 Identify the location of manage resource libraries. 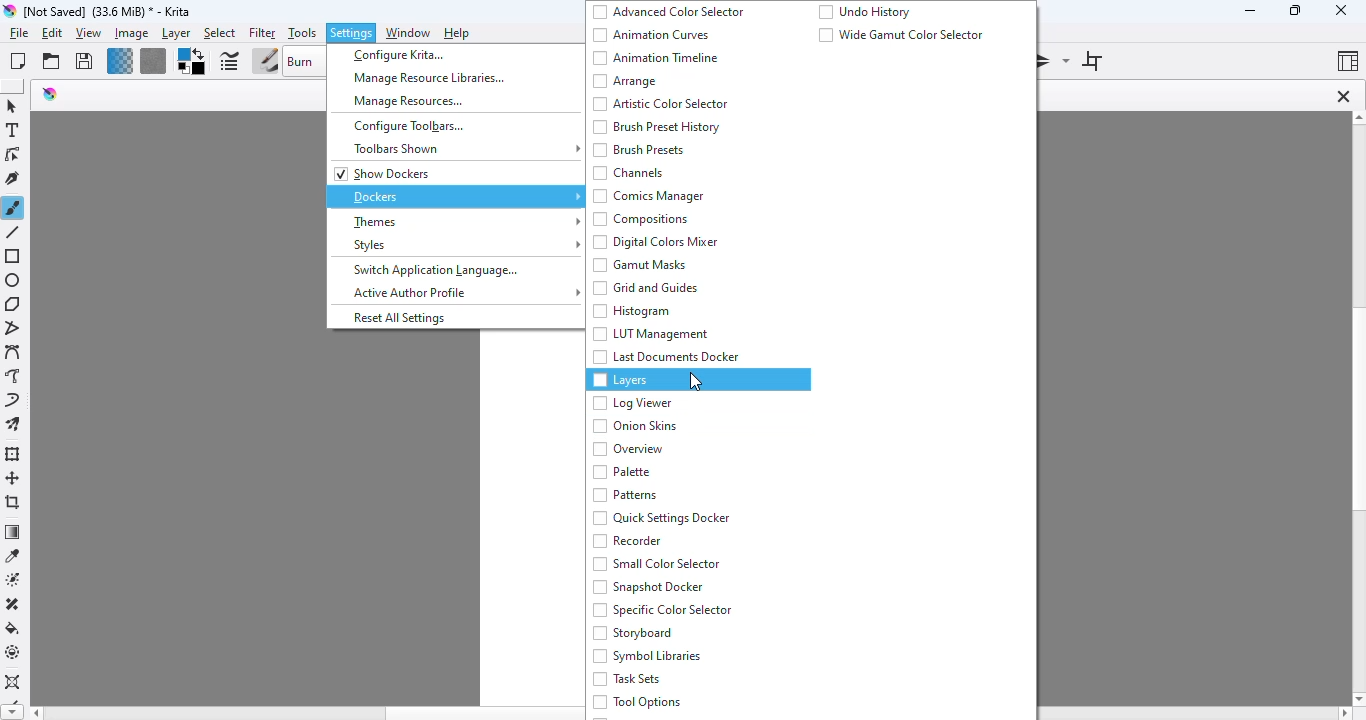
(430, 77).